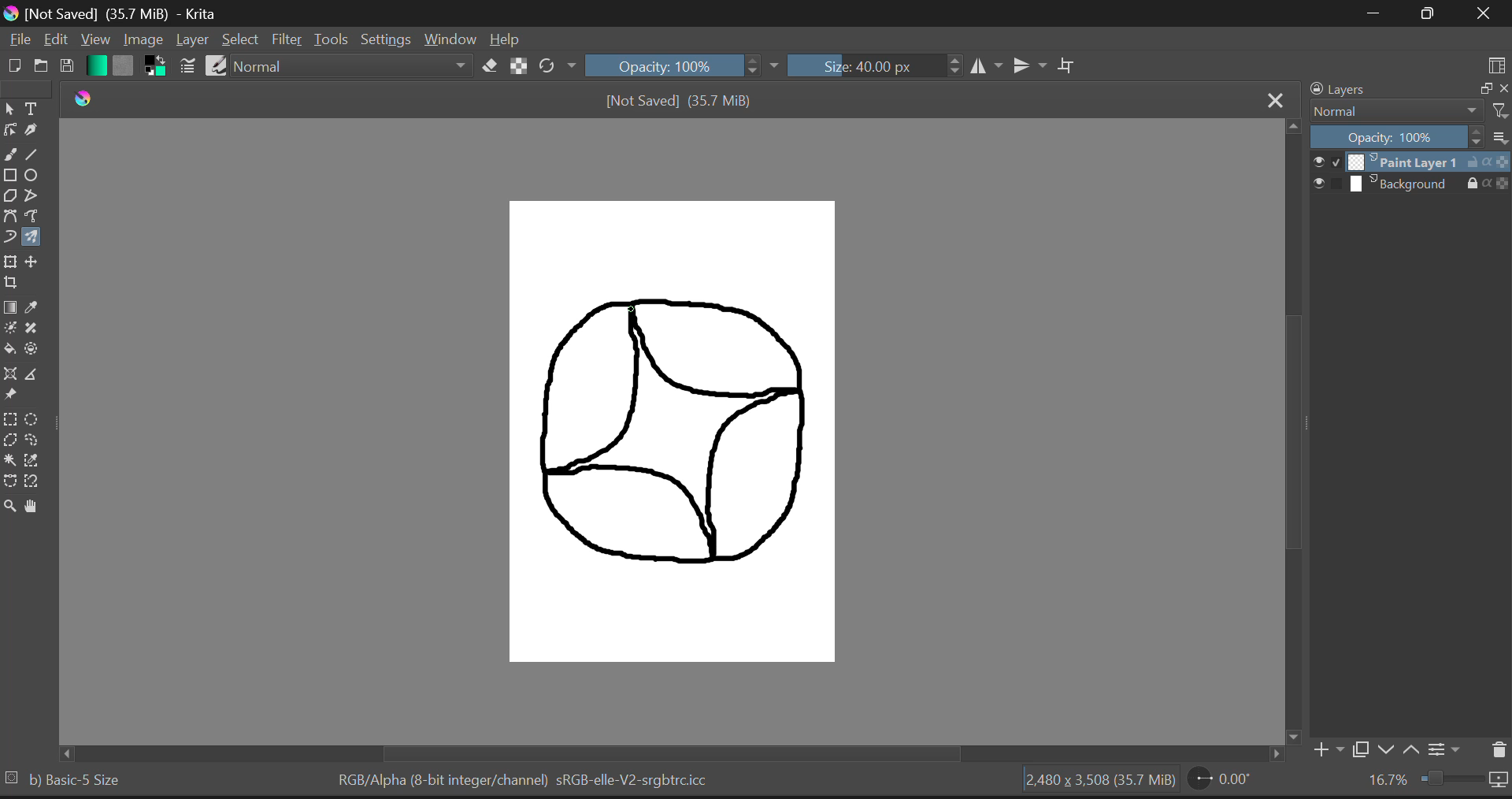 The width and height of the screenshot is (1512, 799). Describe the element at coordinates (11, 307) in the screenshot. I see `Gradient Fill` at that location.